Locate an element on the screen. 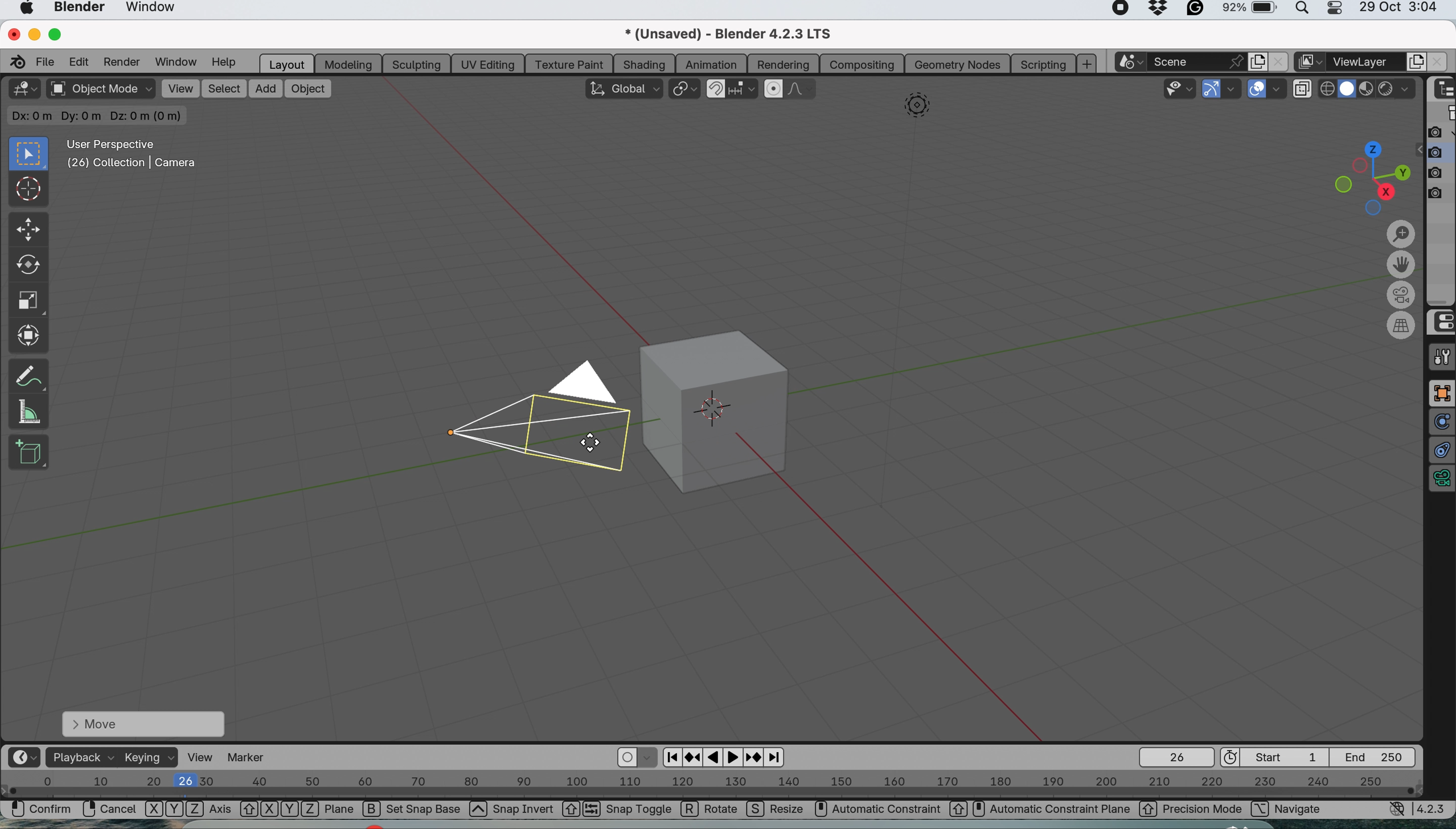 This screenshot has height=829, width=1456. grammarly is located at coordinates (1196, 10).